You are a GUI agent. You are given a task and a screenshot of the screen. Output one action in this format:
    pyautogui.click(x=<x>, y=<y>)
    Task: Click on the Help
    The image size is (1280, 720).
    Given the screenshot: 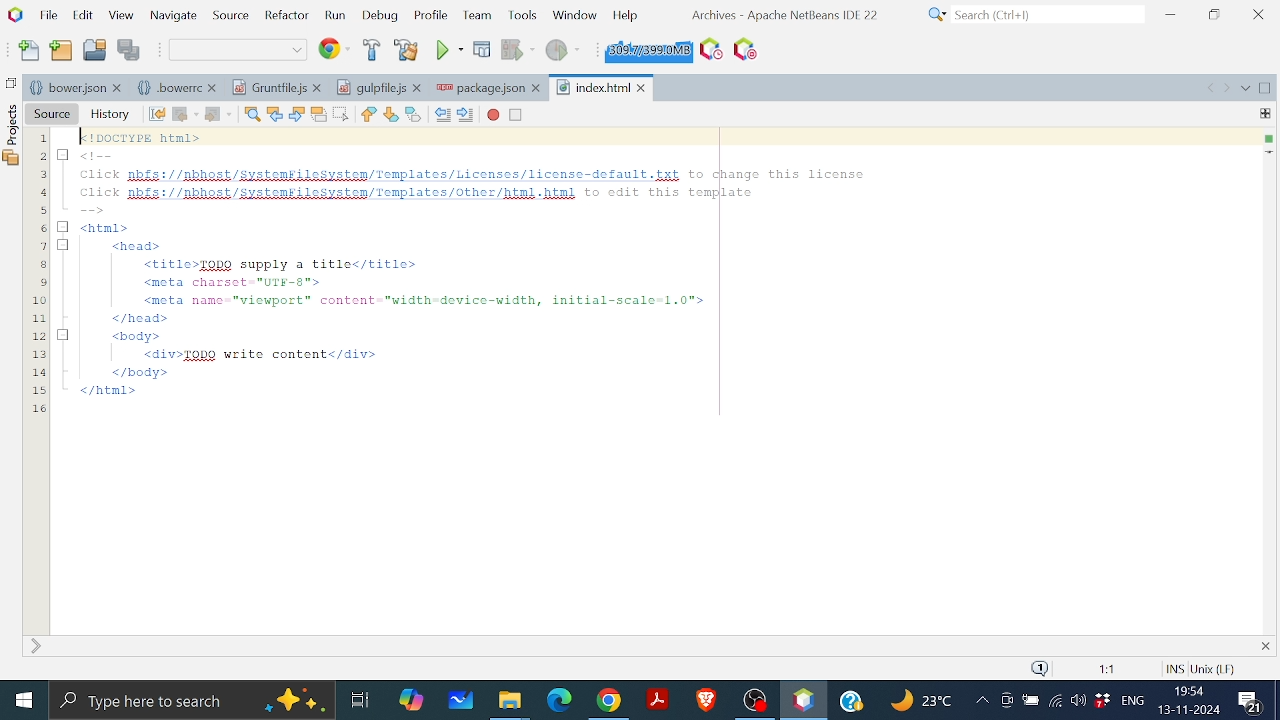 What is the action you would take?
    pyautogui.click(x=625, y=14)
    